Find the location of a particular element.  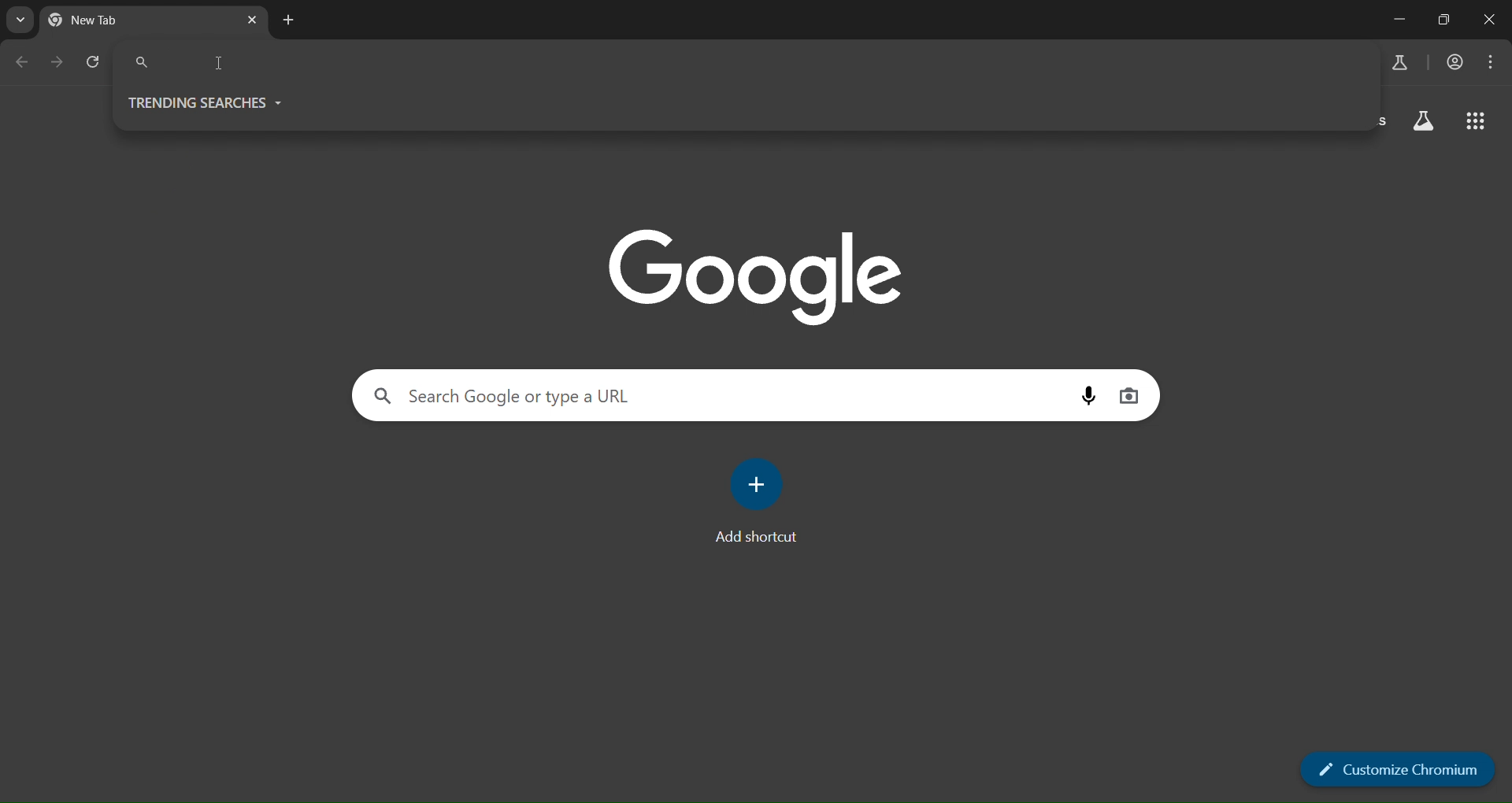

go forward one page is located at coordinates (59, 61).